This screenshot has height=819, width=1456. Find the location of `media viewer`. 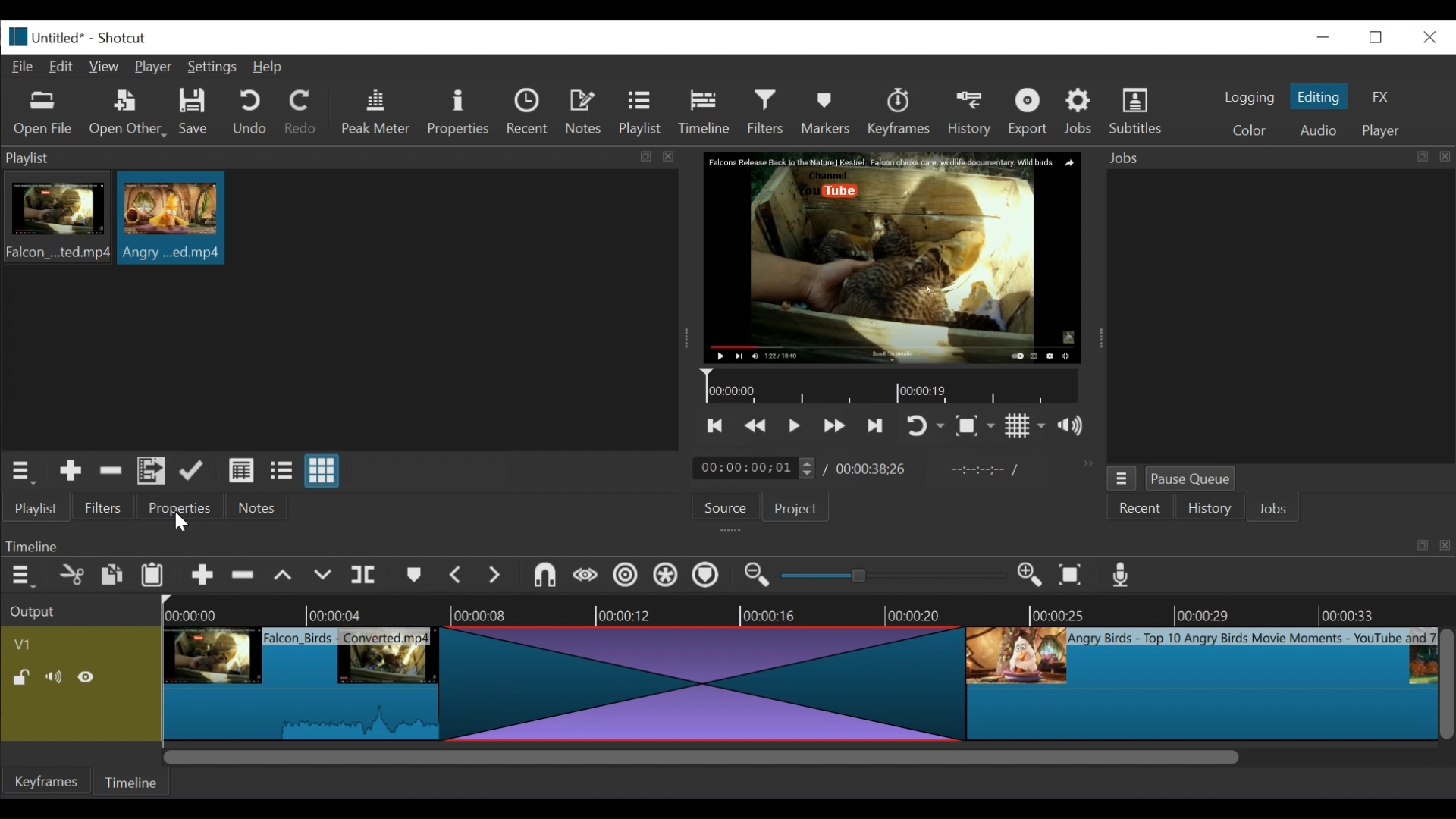

media viewer is located at coordinates (890, 257).